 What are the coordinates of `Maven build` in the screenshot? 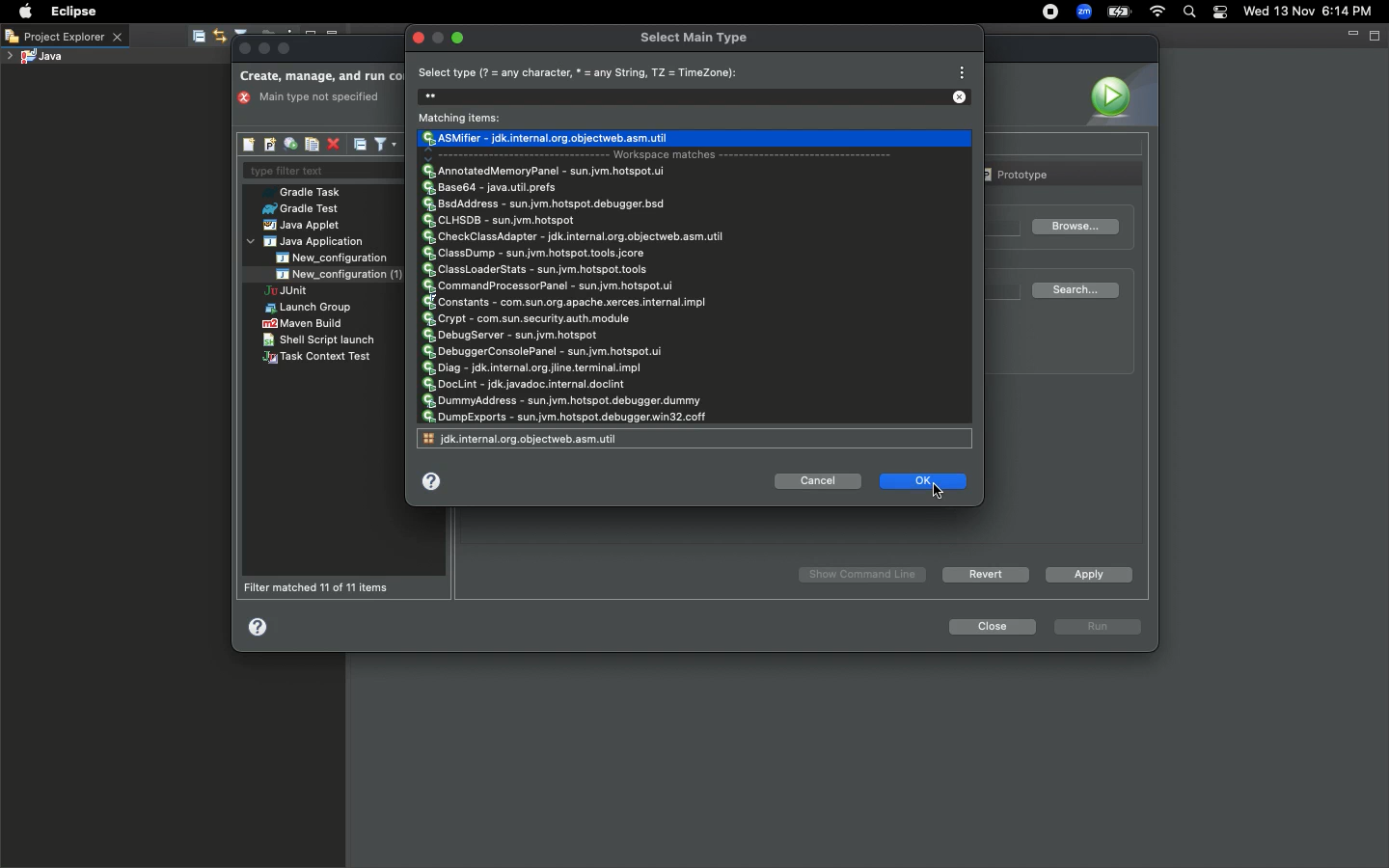 It's located at (302, 323).